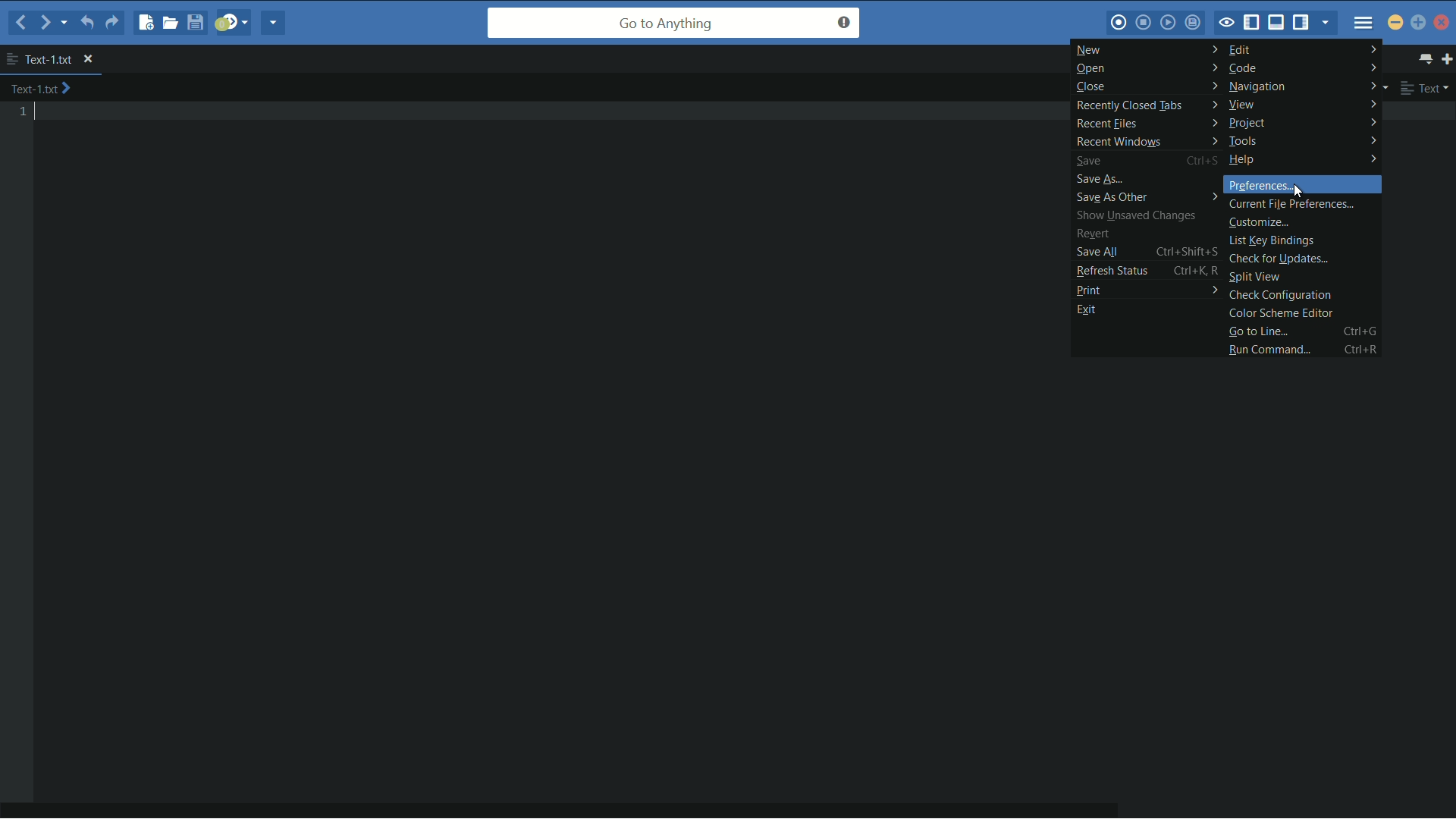  What do you see at coordinates (1141, 292) in the screenshot?
I see `print` at bounding box center [1141, 292].